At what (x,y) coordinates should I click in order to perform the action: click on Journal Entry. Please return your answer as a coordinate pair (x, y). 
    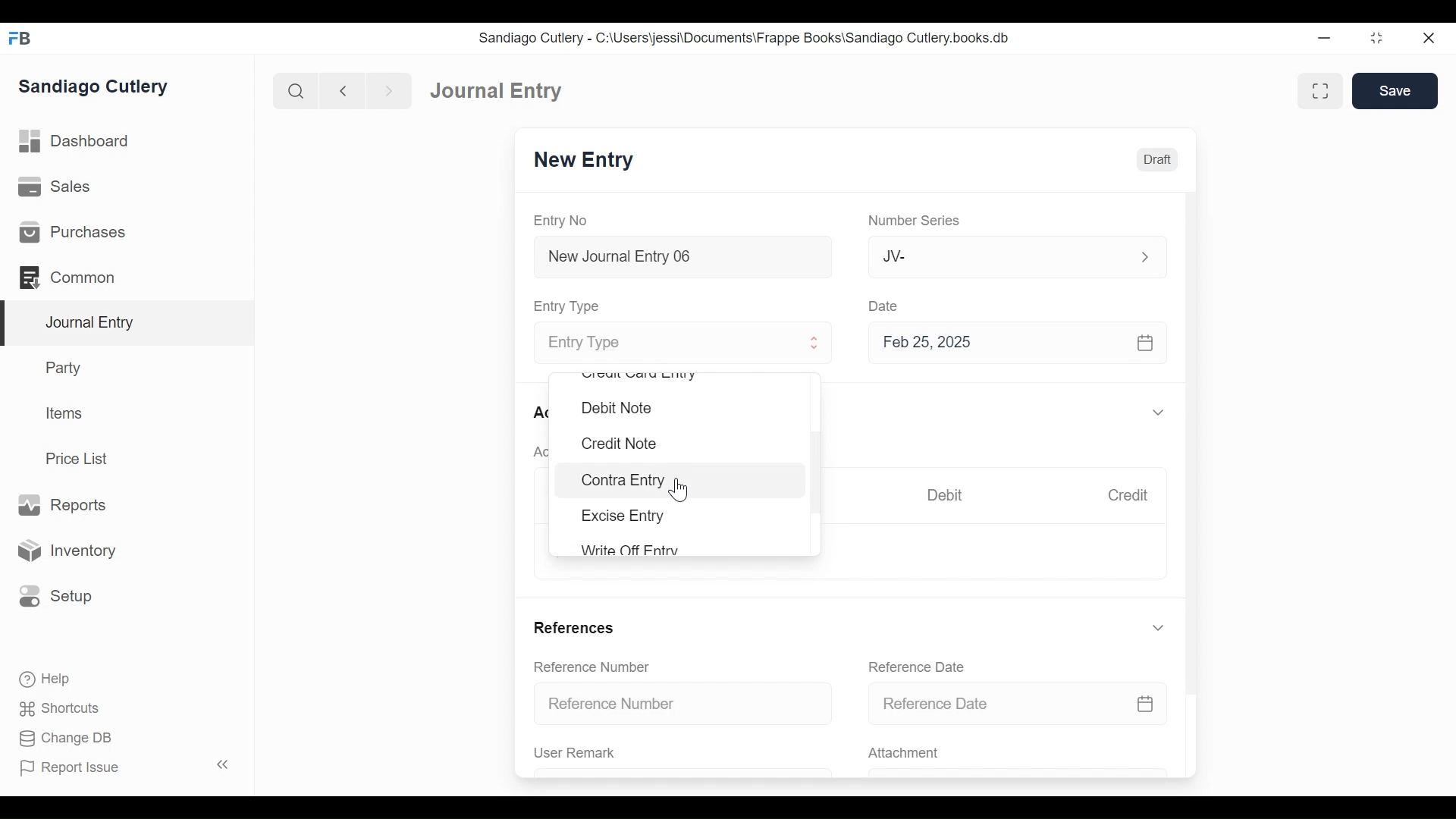
    Looking at the image, I should click on (497, 89).